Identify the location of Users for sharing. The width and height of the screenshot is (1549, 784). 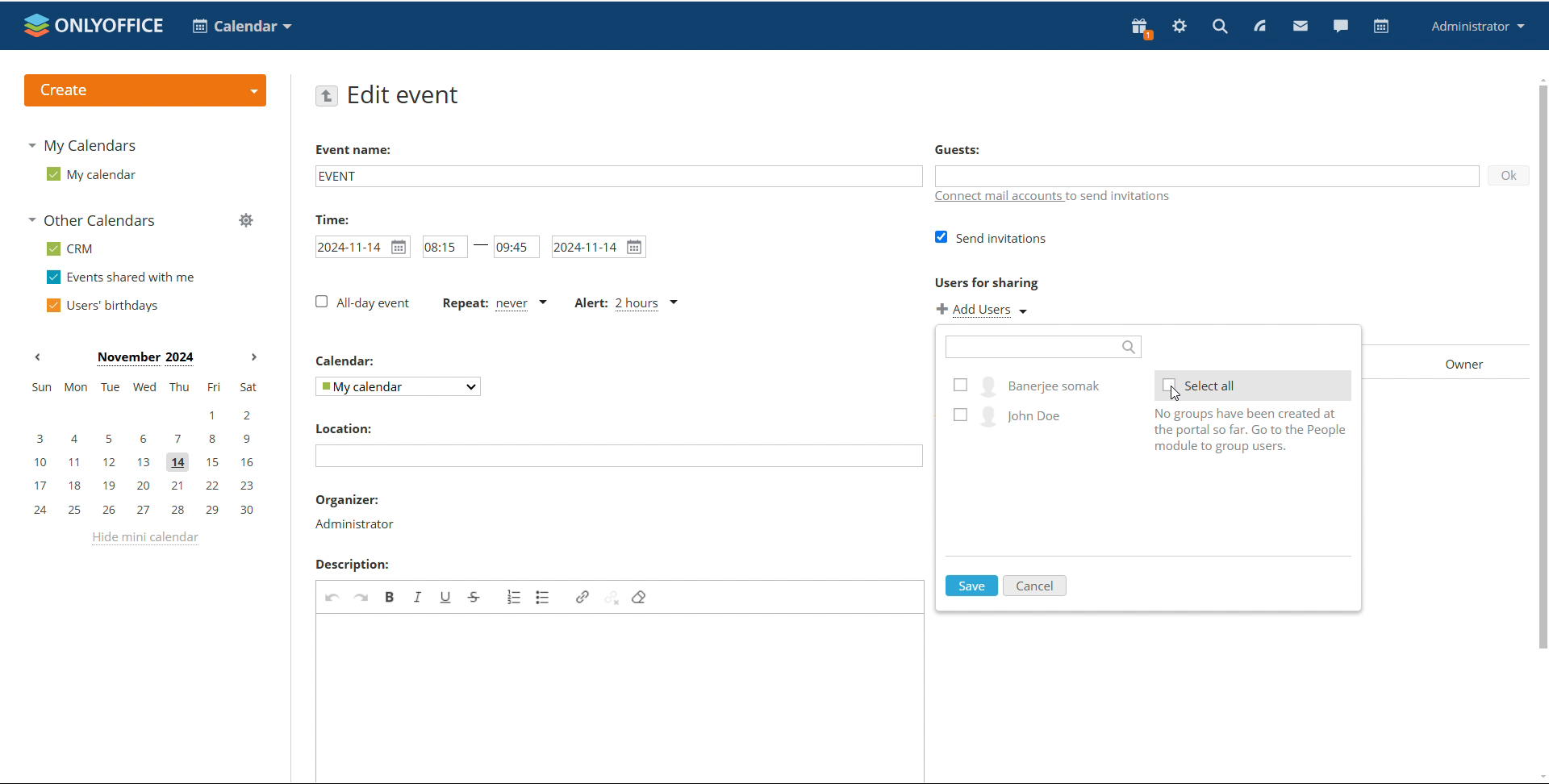
(987, 283).